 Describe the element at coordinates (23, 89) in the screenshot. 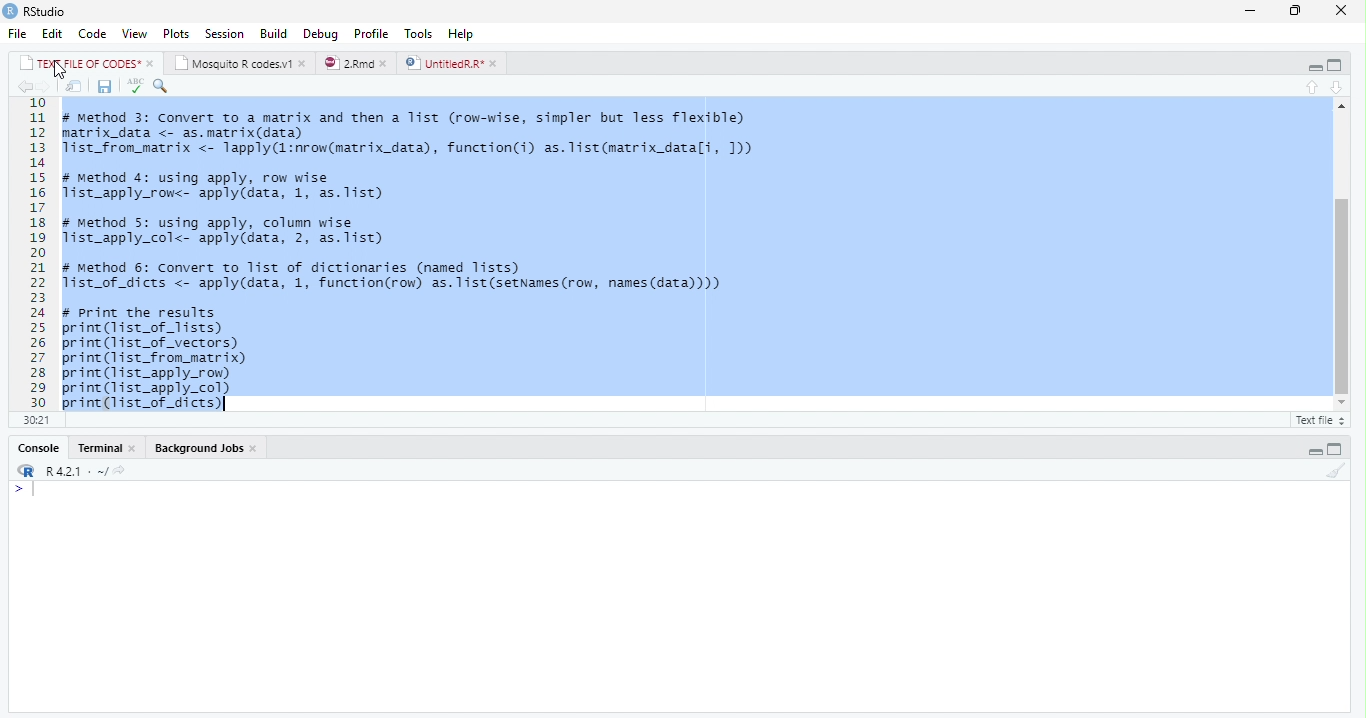

I see `Go to previous location` at that location.